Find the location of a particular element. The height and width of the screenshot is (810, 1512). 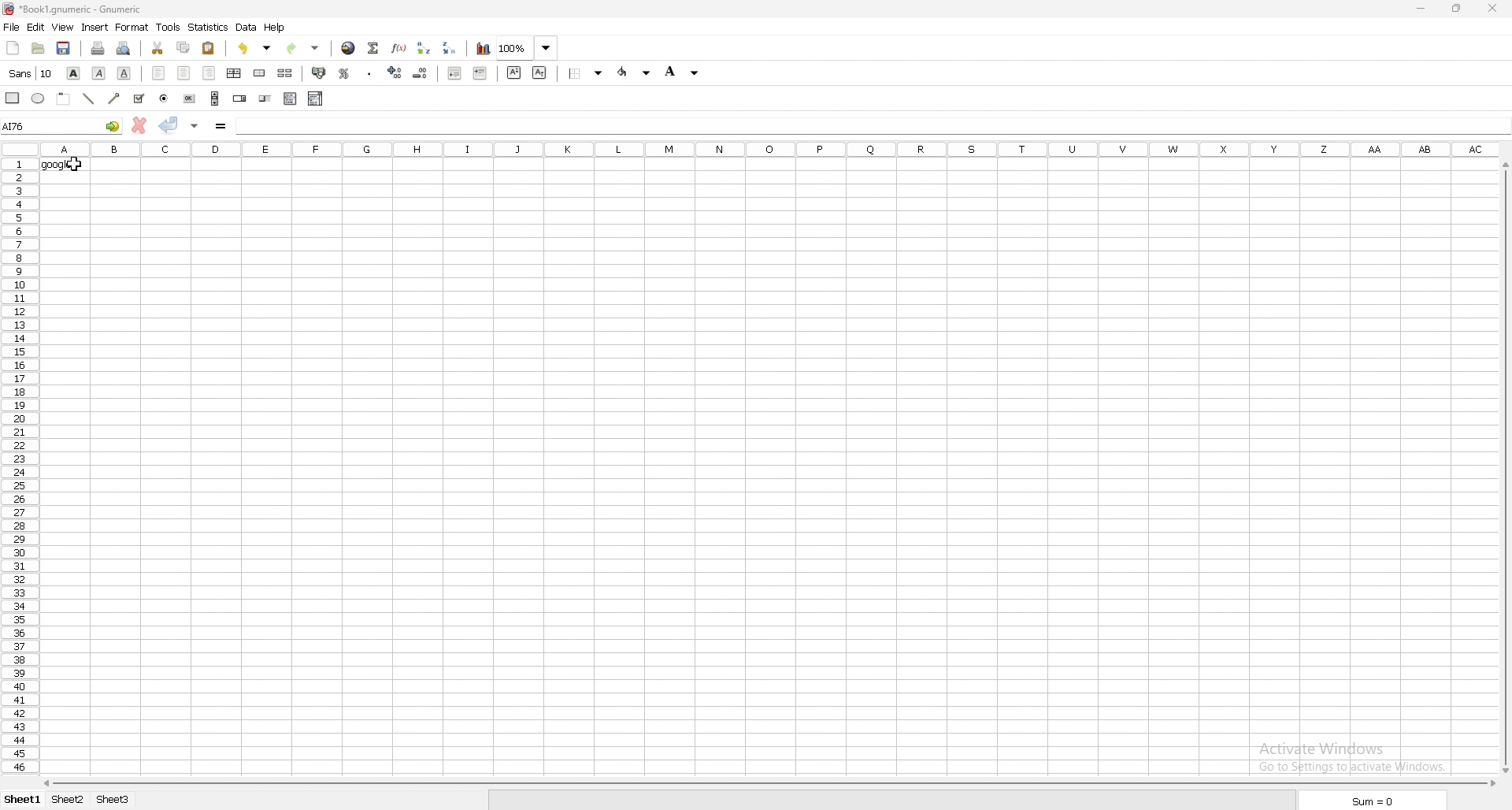

left align is located at coordinates (158, 72).